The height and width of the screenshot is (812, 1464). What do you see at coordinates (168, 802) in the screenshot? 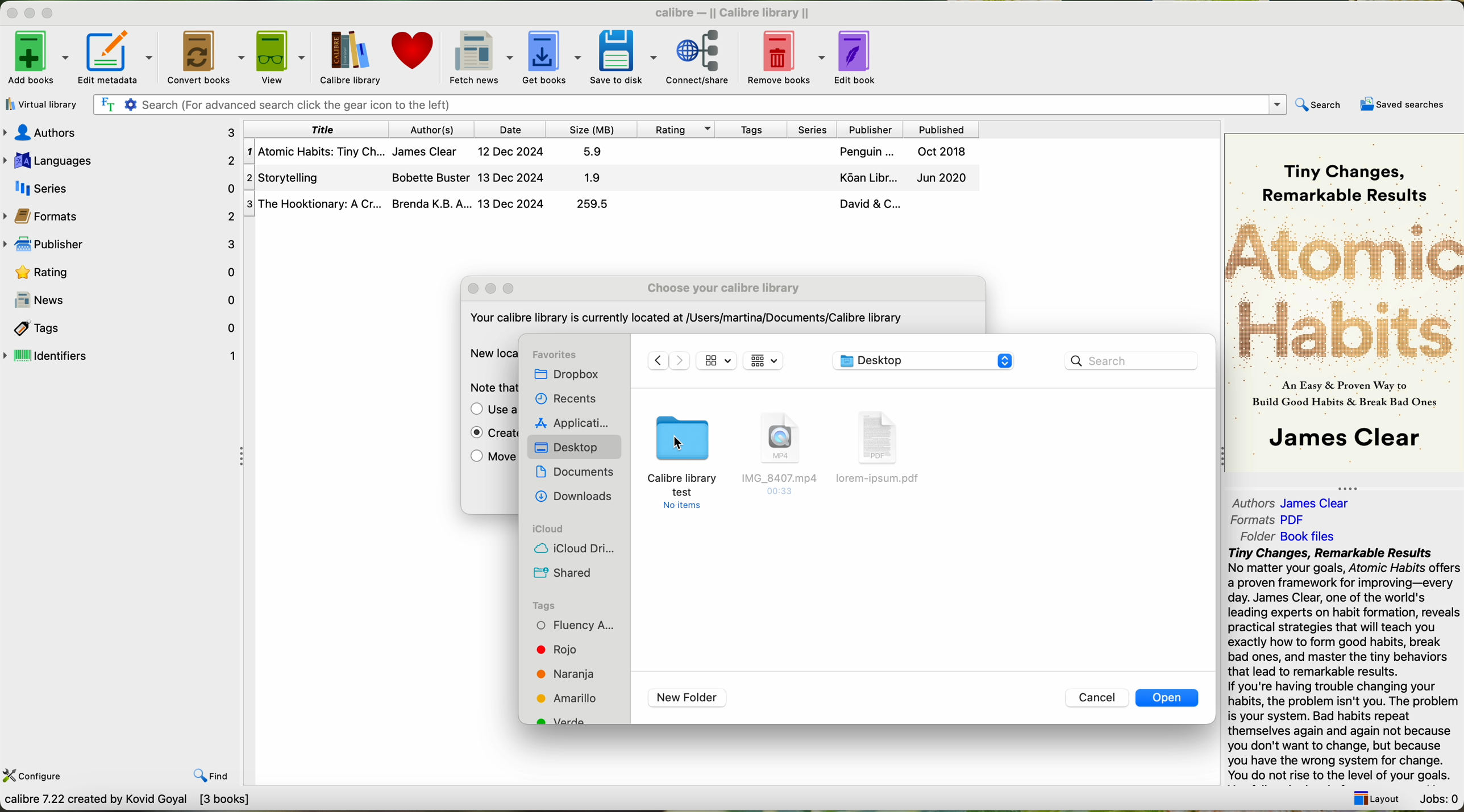
I see `Choose calbre library to work with Calbre Library [3book}` at bounding box center [168, 802].